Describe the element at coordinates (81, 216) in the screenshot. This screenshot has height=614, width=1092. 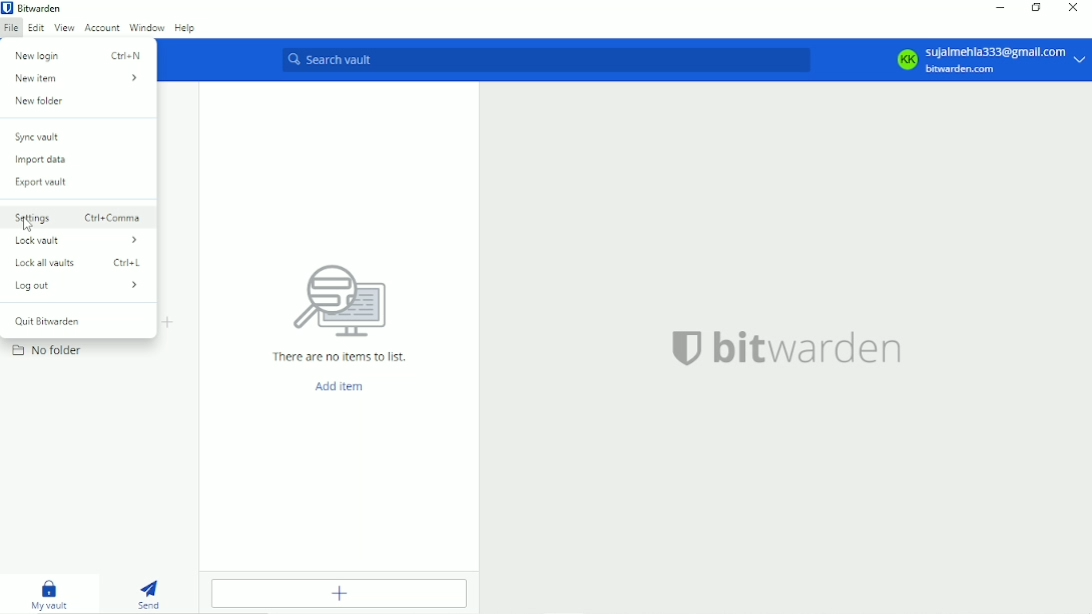
I see `Settings` at that location.